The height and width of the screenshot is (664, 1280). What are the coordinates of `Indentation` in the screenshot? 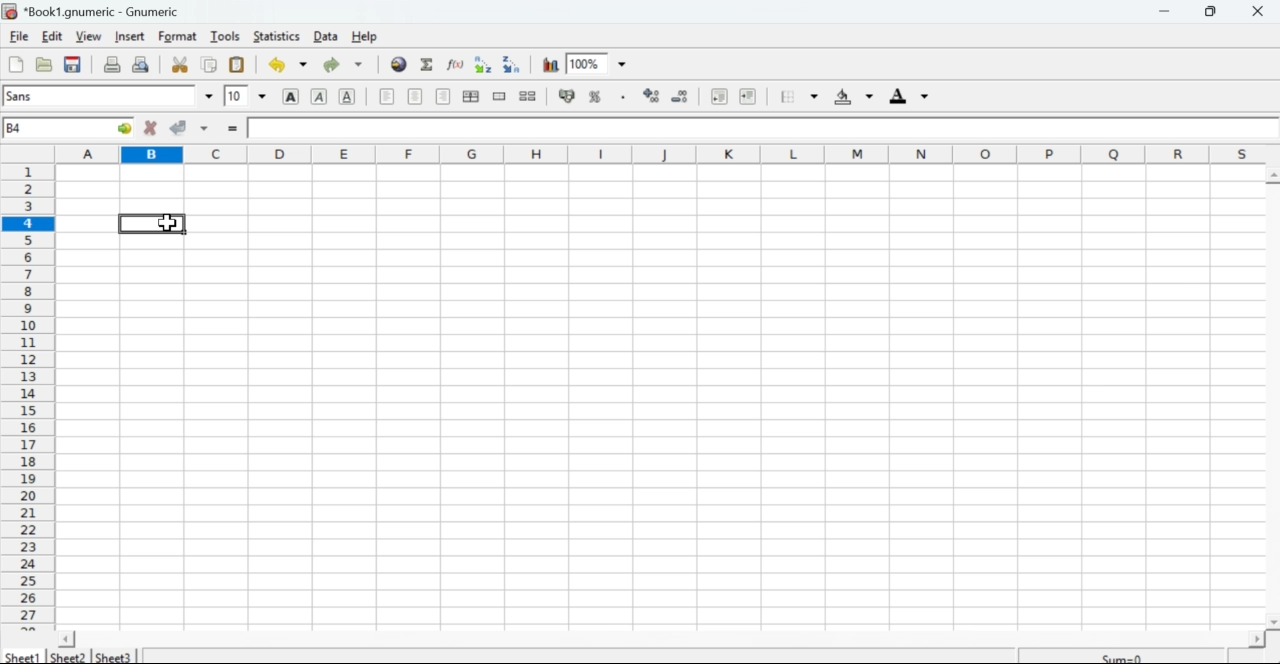 It's located at (732, 97).